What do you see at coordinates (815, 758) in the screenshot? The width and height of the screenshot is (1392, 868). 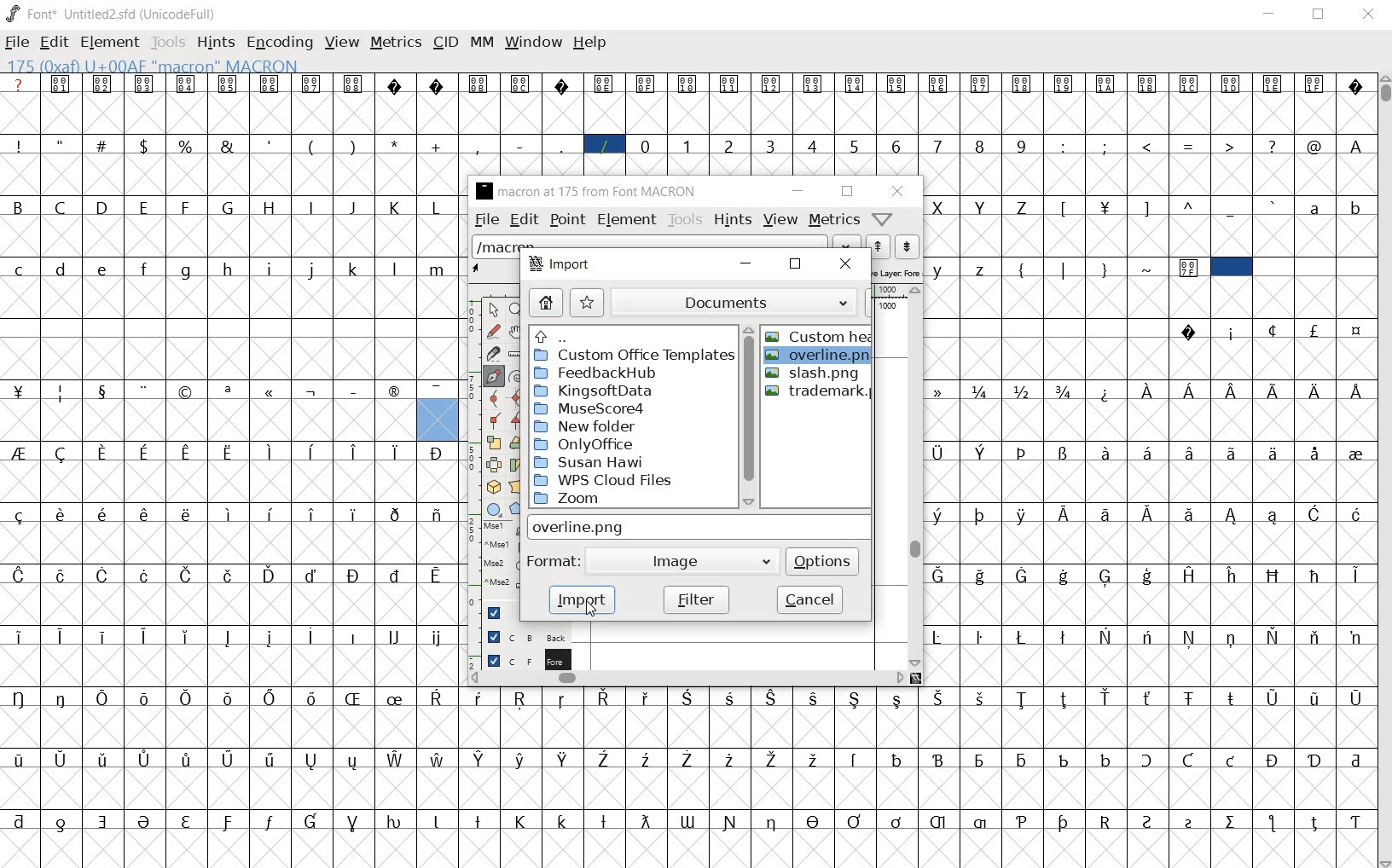 I see `Symbol` at bounding box center [815, 758].